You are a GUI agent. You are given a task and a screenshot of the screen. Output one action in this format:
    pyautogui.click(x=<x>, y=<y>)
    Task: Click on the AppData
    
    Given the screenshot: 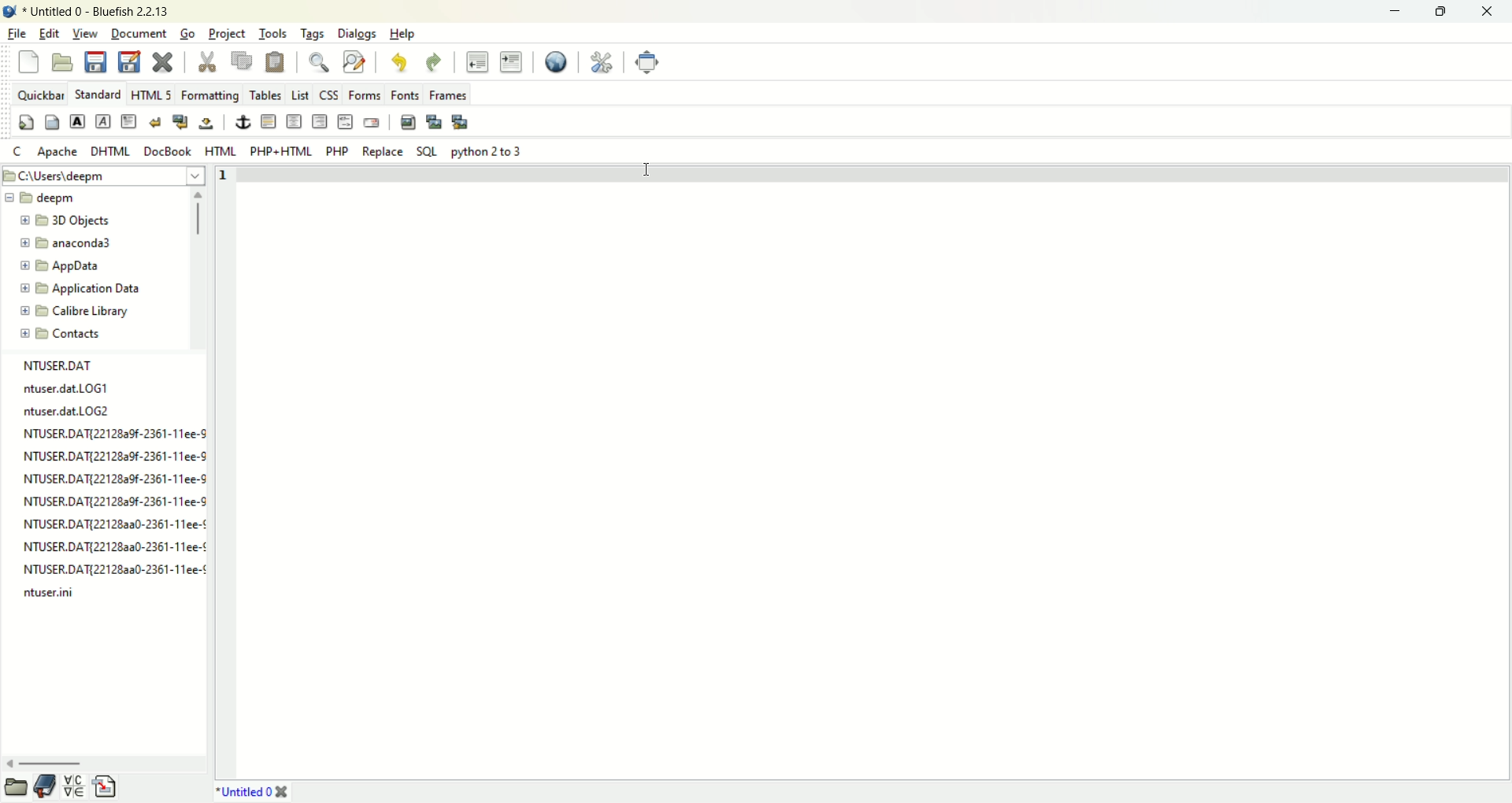 What is the action you would take?
    pyautogui.click(x=75, y=266)
    